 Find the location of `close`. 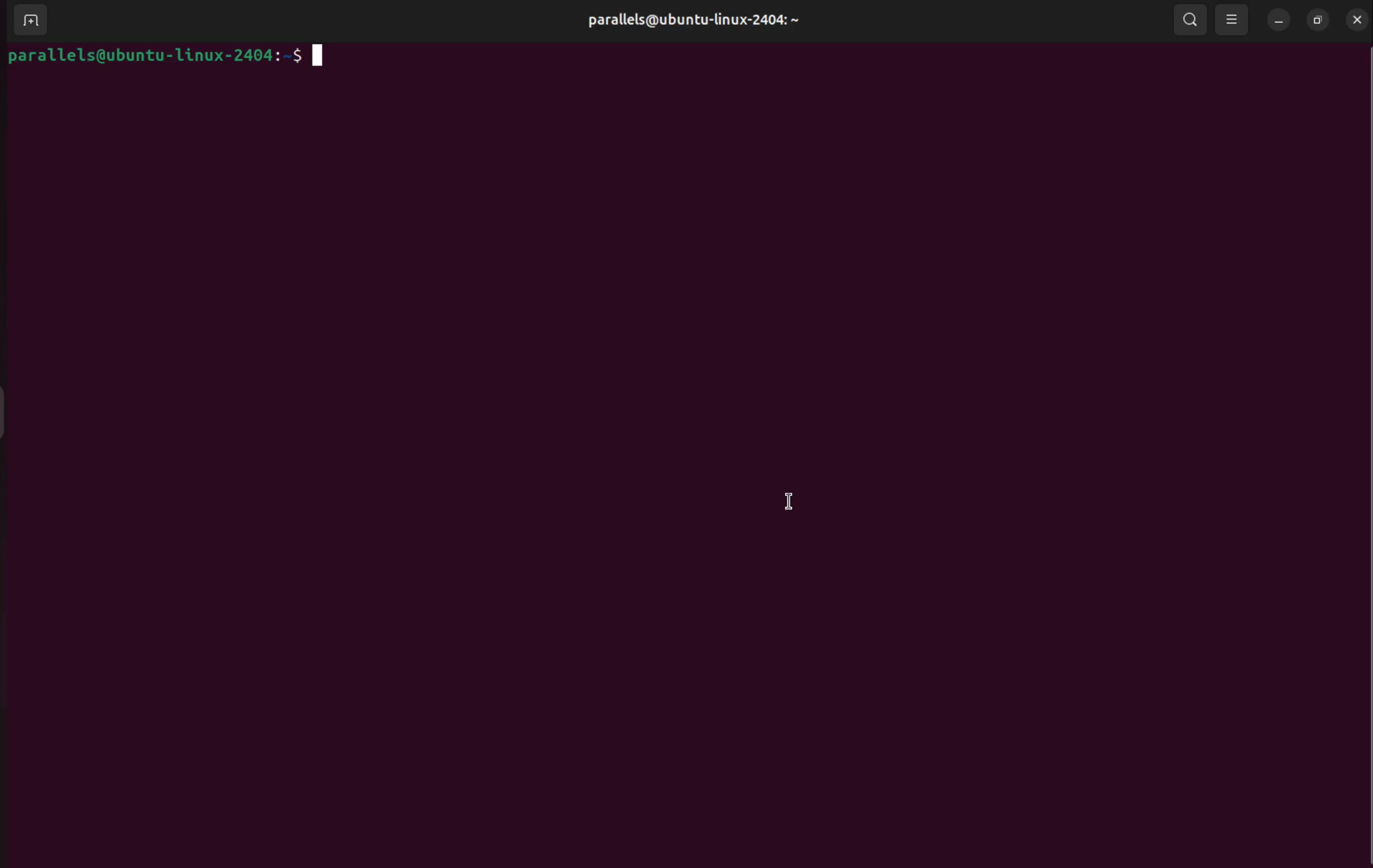

close is located at coordinates (1358, 21).